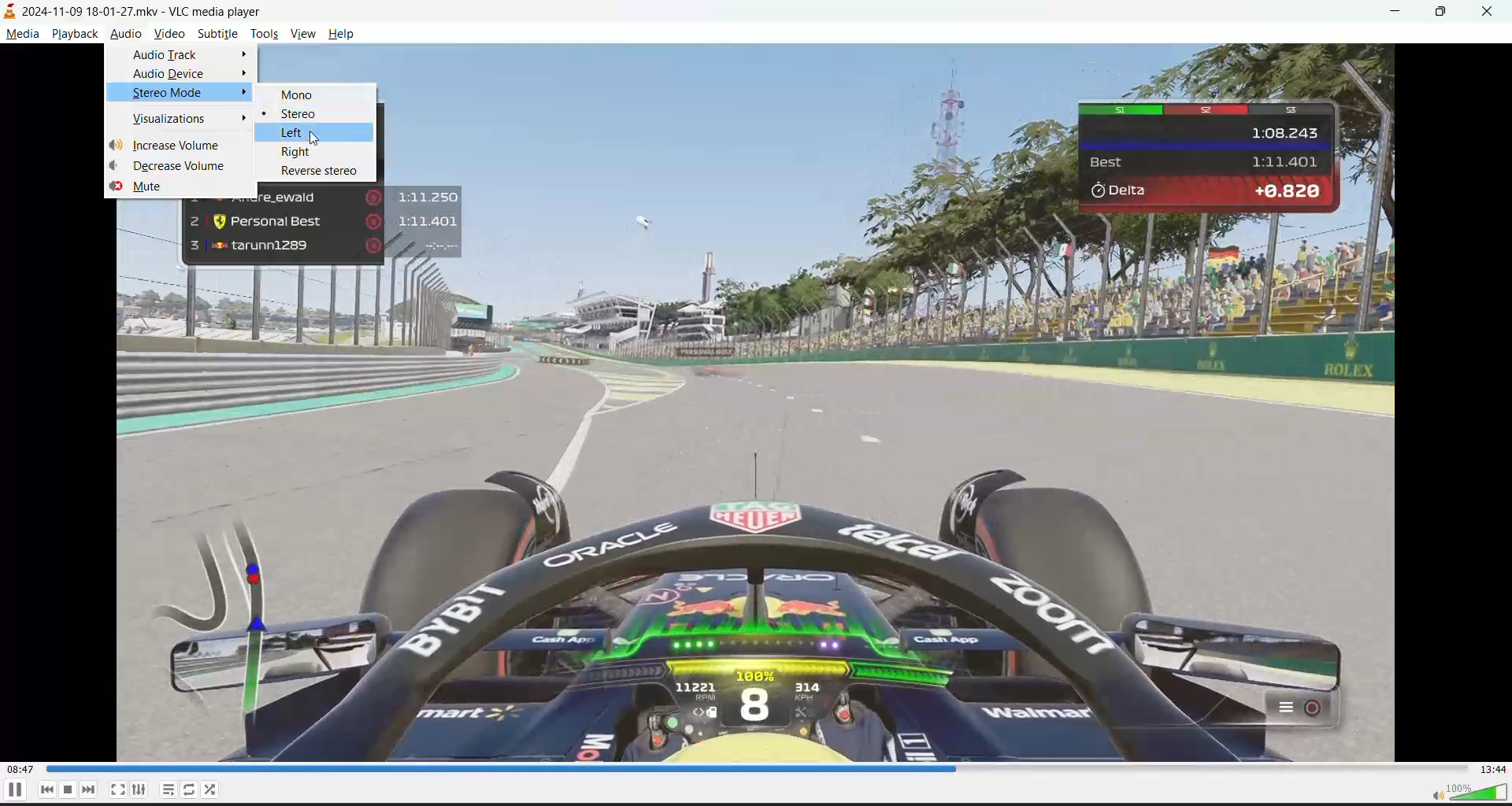  What do you see at coordinates (24, 34) in the screenshot?
I see `media` at bounding box center [24, 34].